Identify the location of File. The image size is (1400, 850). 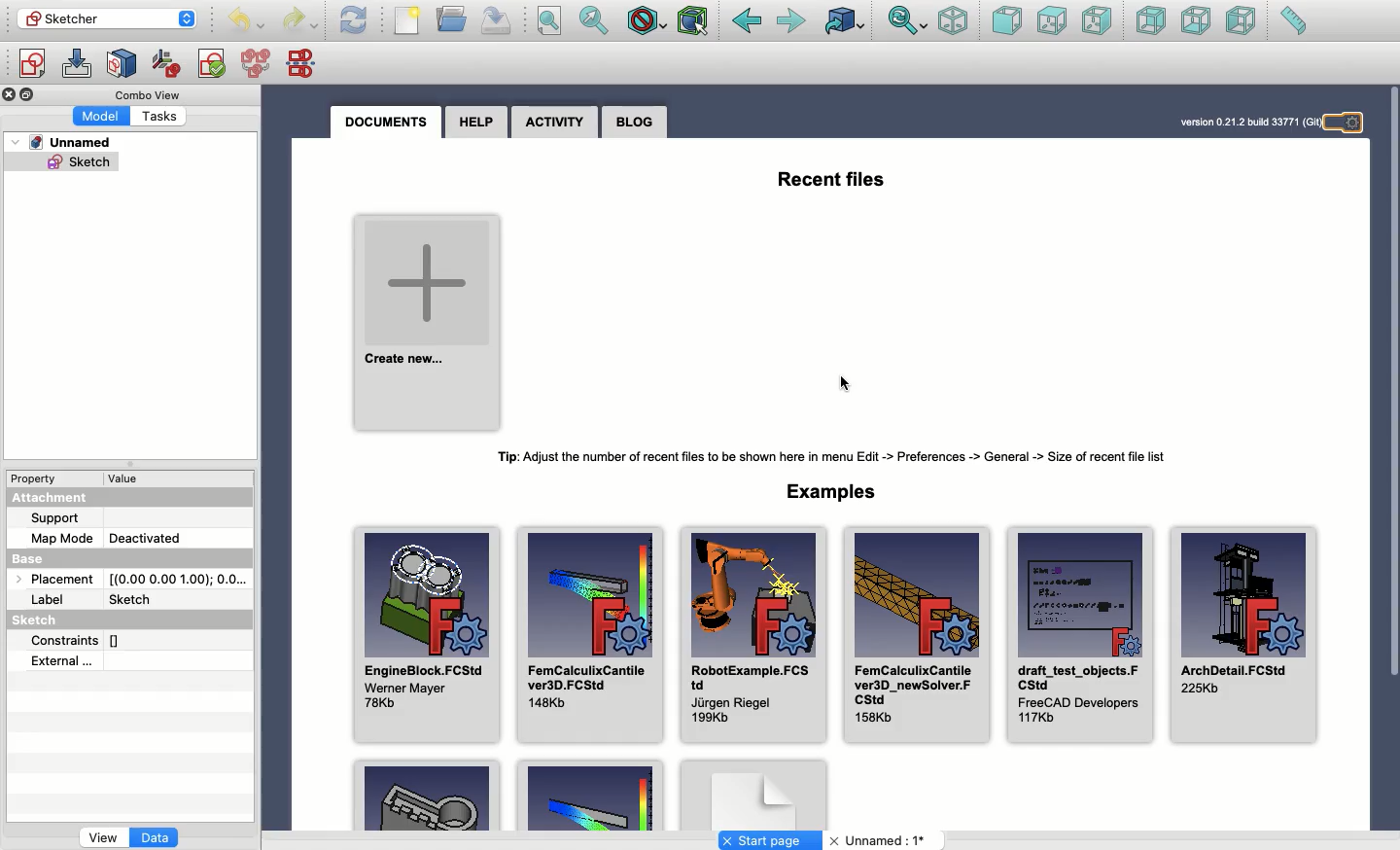
(408, 22).